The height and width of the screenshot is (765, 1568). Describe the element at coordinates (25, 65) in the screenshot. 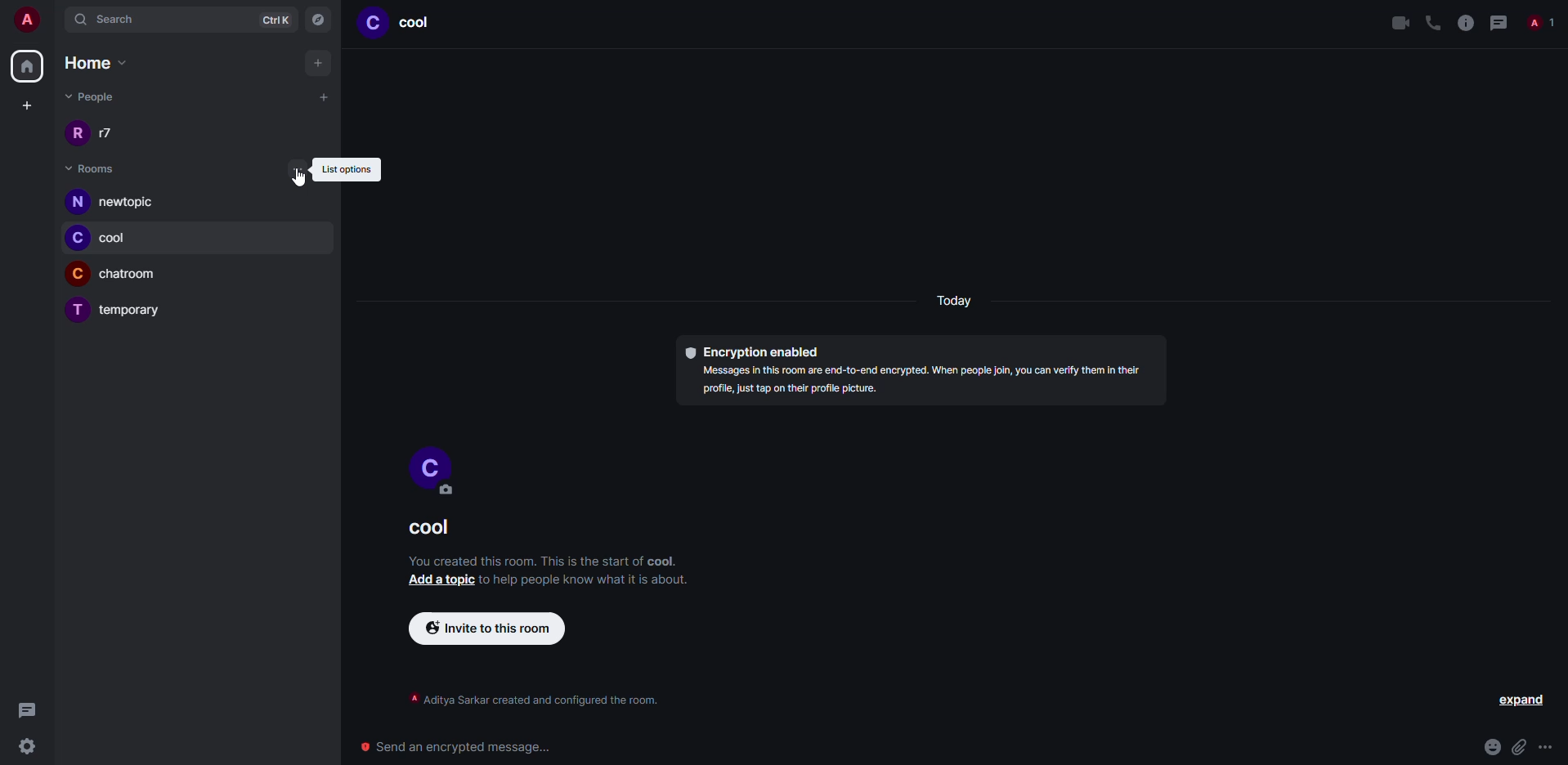

I see `home` at that location.